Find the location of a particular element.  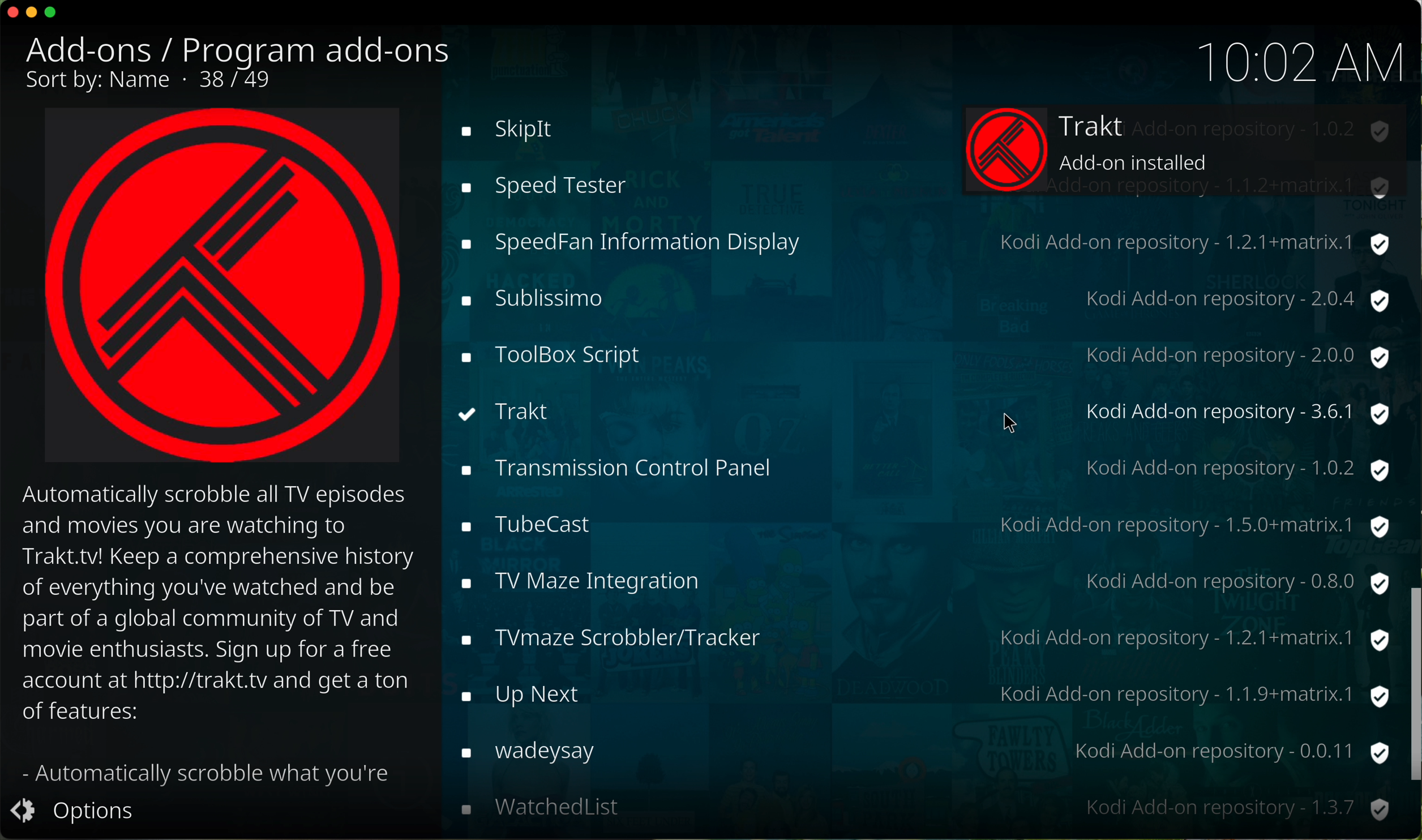

program add-ons is located at coordinates (319, 46).